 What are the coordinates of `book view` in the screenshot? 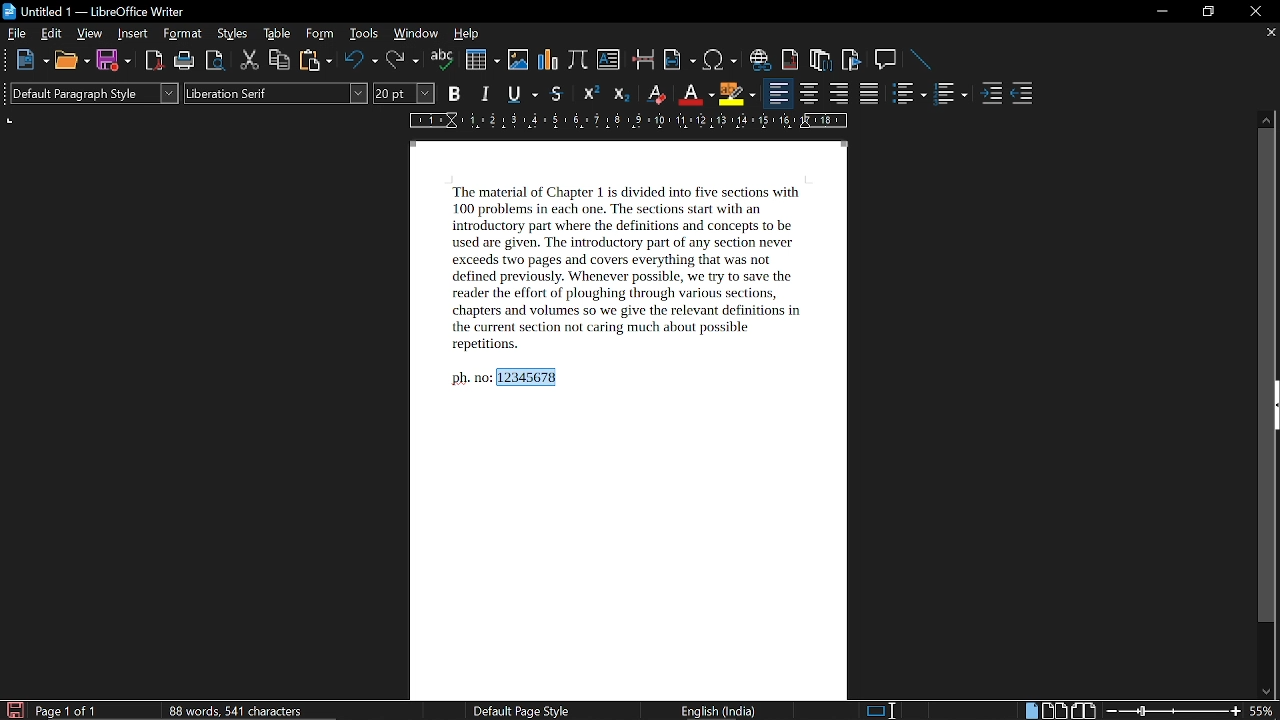 It's located at (1086, 710).